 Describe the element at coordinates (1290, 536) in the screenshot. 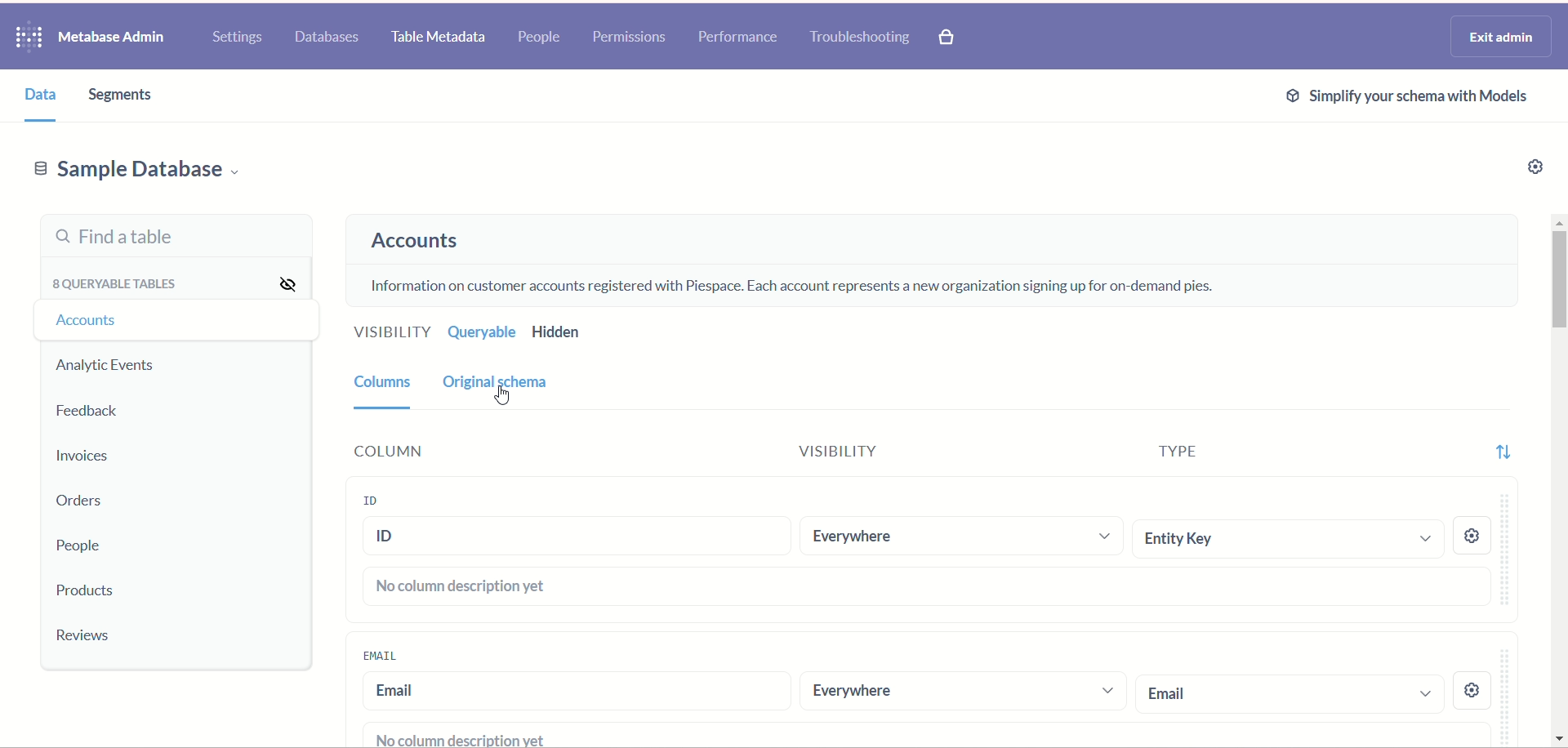

I see `selection` at that location.